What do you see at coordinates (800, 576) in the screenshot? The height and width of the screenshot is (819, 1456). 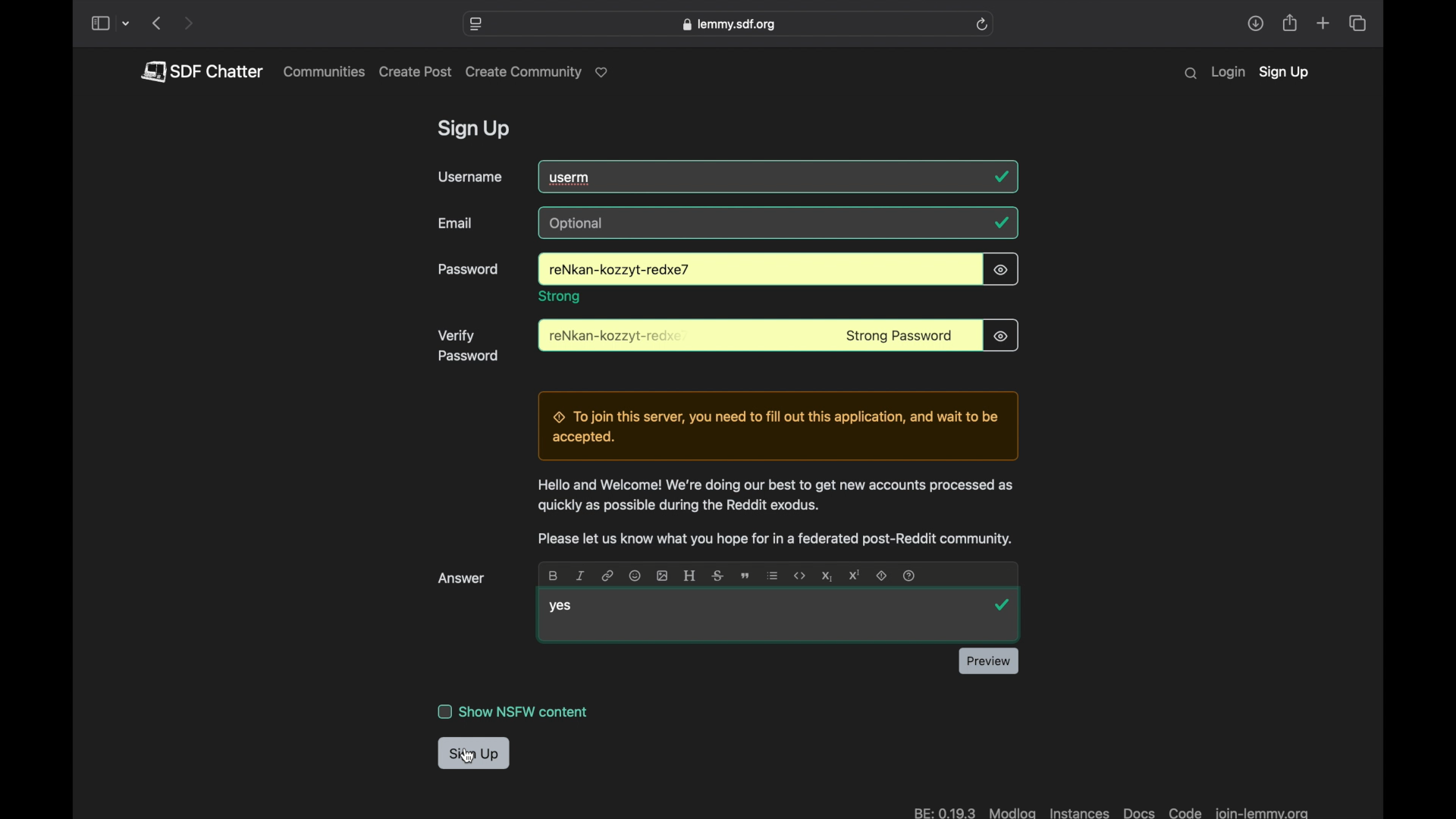 I see `code` at bounding box center [800, 576].